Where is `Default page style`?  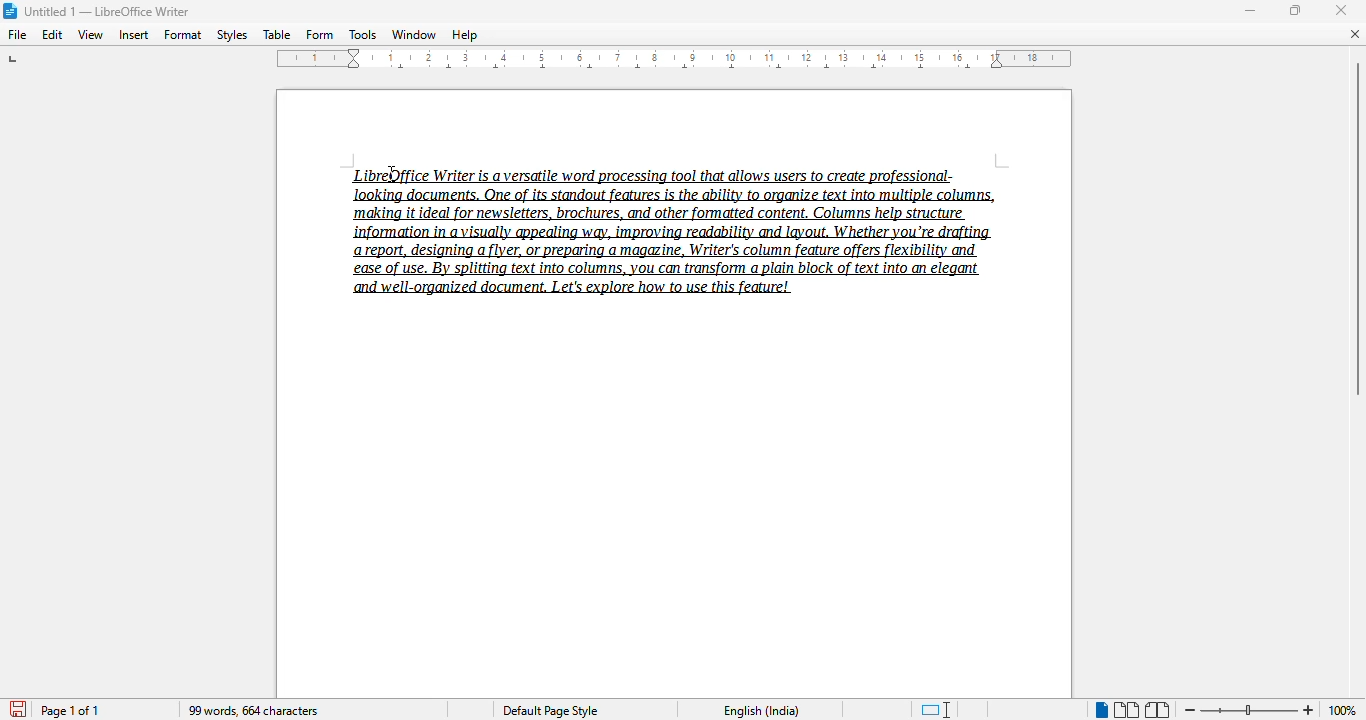
Default page style is located at coordinates (550, 710).